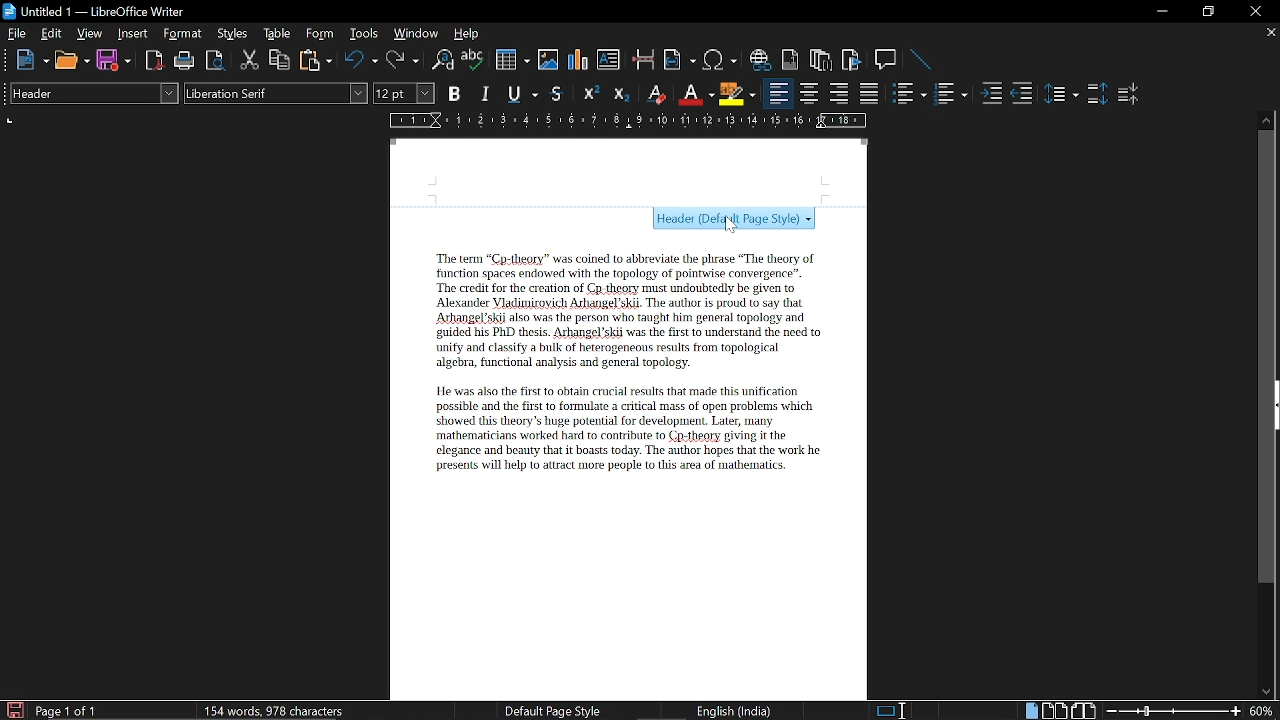 This screenshot has height=720, width=1280. Describe the element at coordinates (295, 710) in the screenshot. I see `Word count` at that location.